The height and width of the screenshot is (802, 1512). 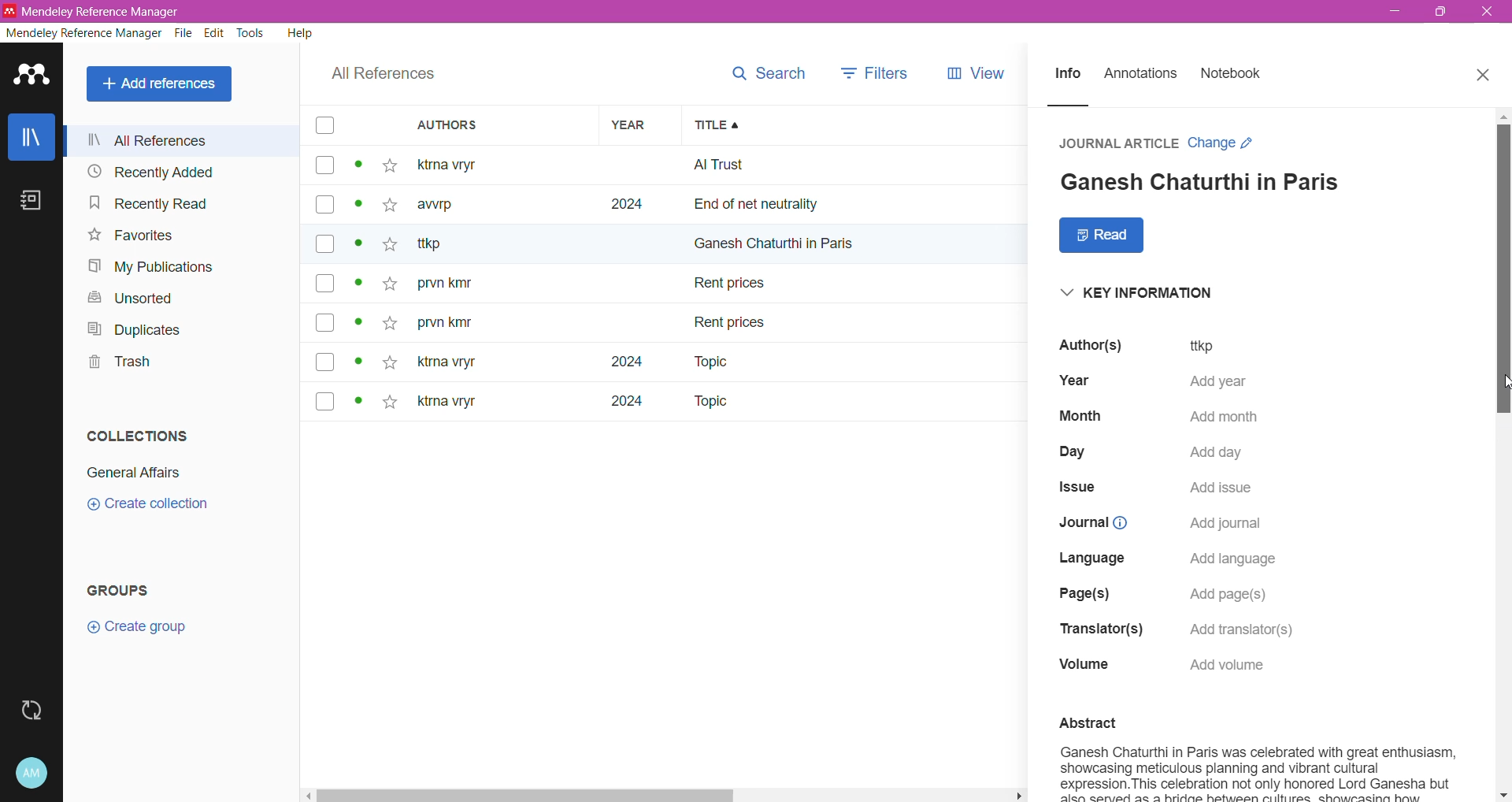 I want to click on Author names of the references in the Library, so click(x=503, y=283).